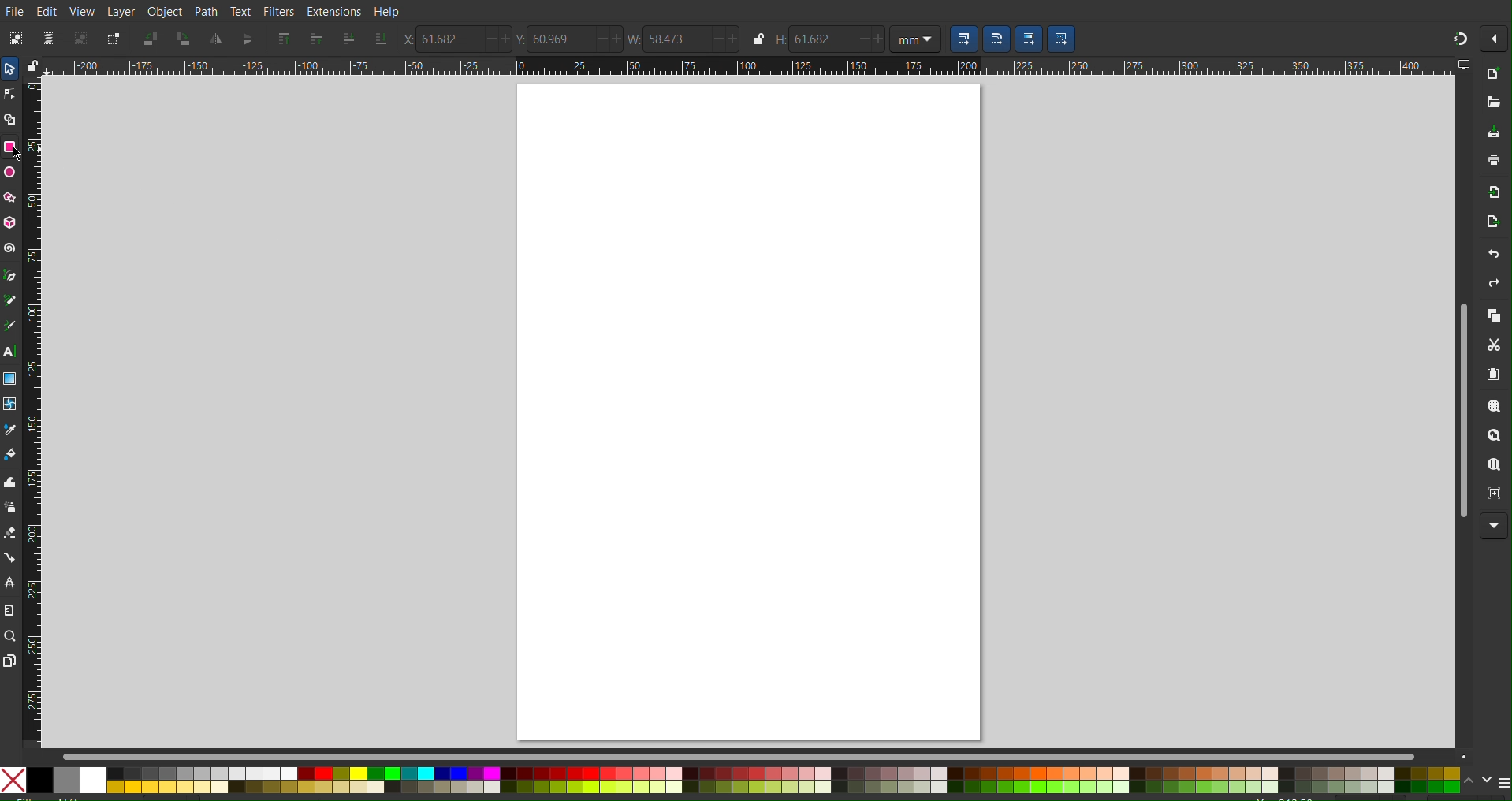  Describe the element at coordinates (1458, 36) in the screenshot. I see `Snapping` at that location.